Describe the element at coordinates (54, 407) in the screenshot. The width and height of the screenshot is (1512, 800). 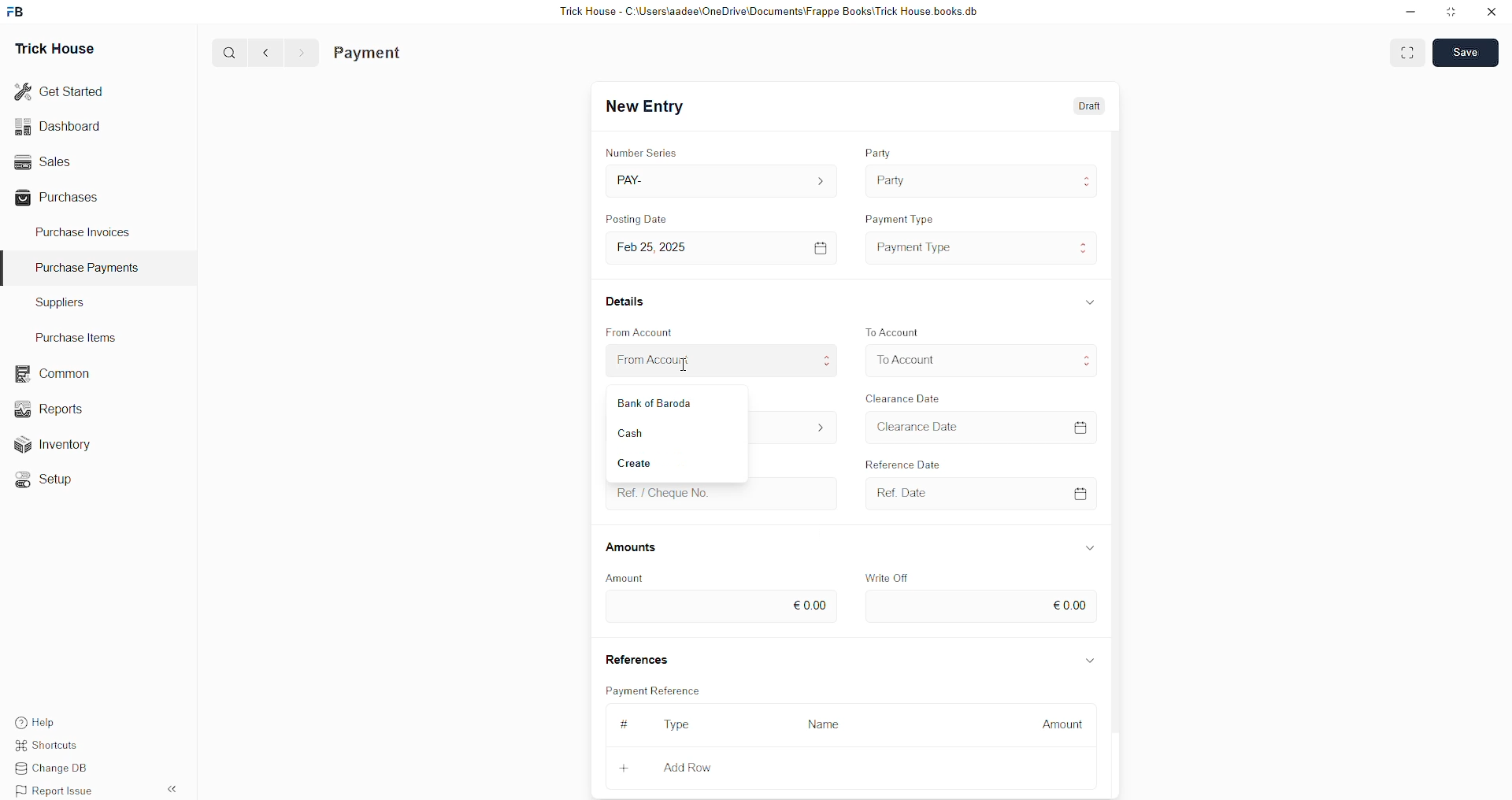
I see `Reports` at that location.